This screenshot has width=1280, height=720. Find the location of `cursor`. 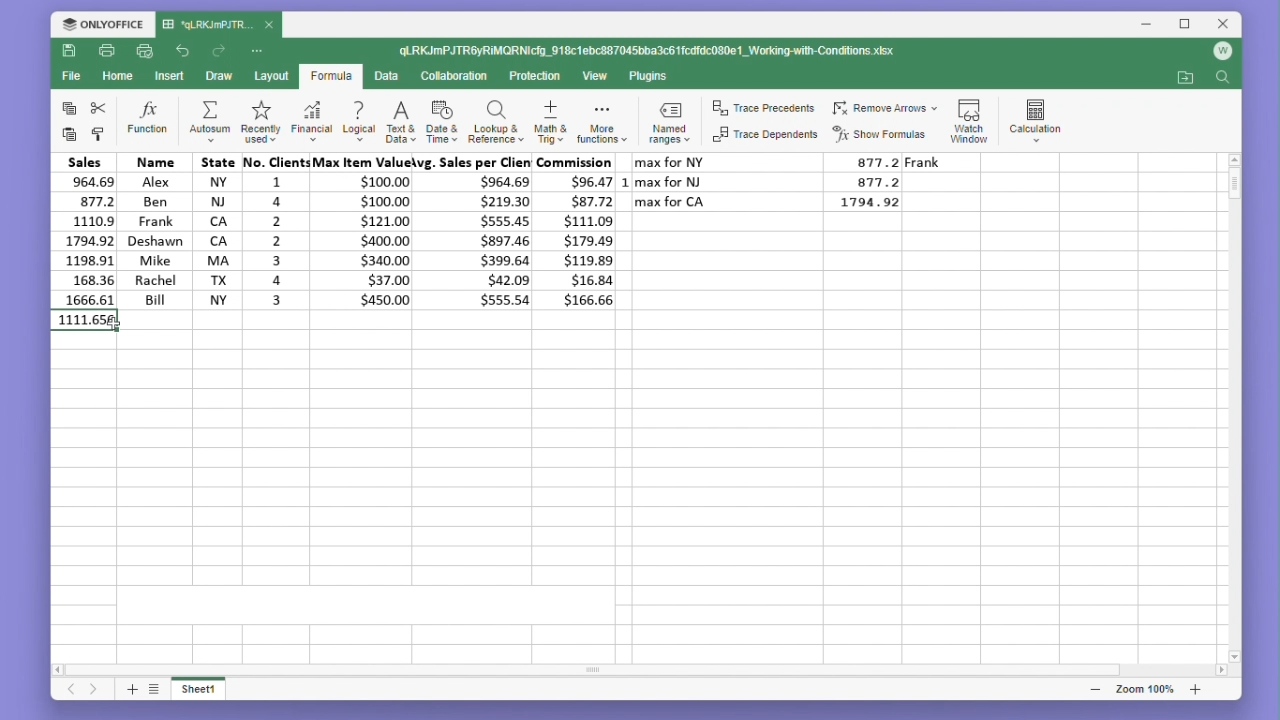

cursor is located at coordinates (117, 324).